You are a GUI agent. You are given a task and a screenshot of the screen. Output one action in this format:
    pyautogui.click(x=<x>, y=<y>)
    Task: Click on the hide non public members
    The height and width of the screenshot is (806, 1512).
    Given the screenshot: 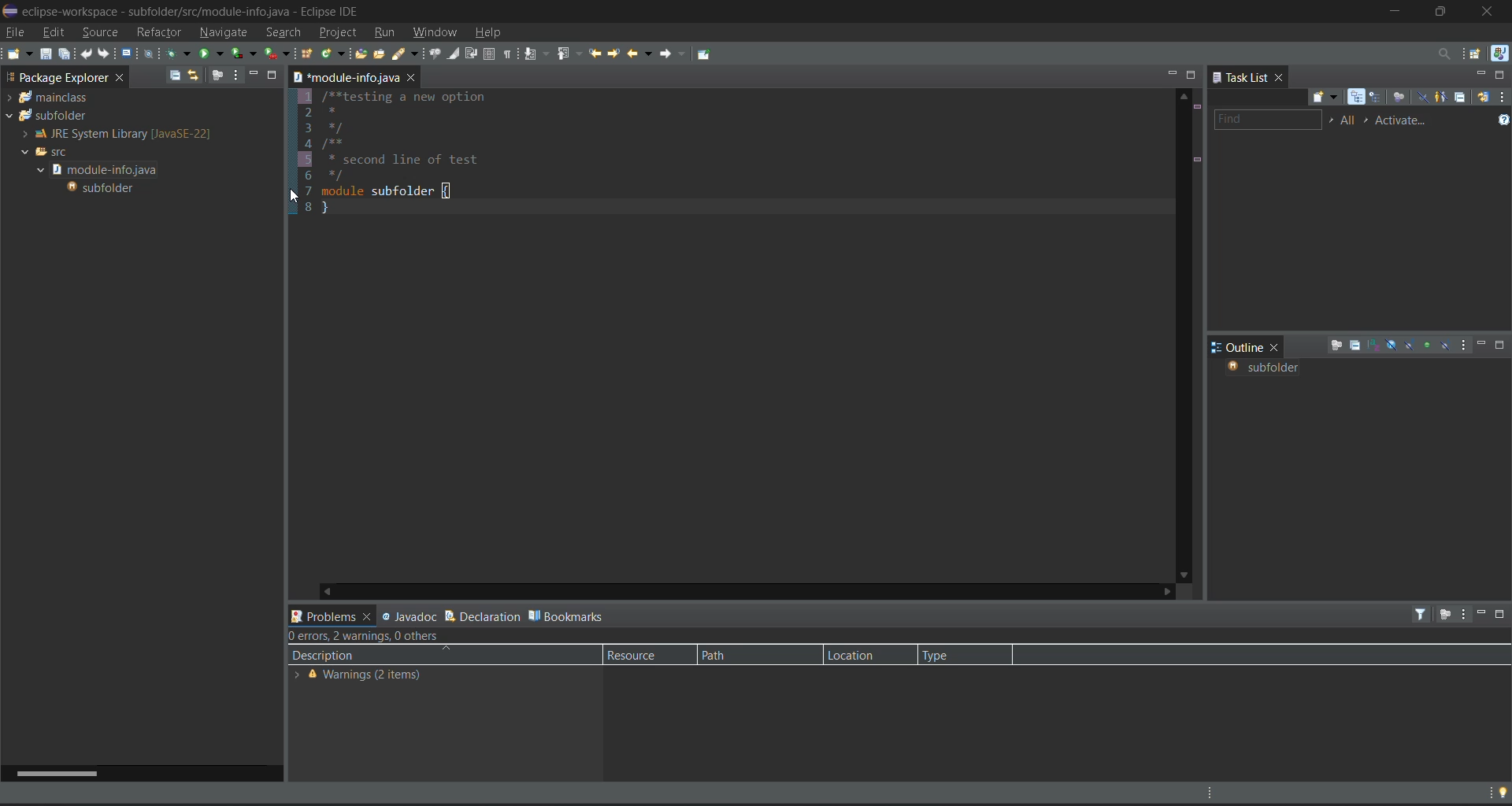 What is the action you would take?
    pyautogui.click(x=1428, y=343)
    